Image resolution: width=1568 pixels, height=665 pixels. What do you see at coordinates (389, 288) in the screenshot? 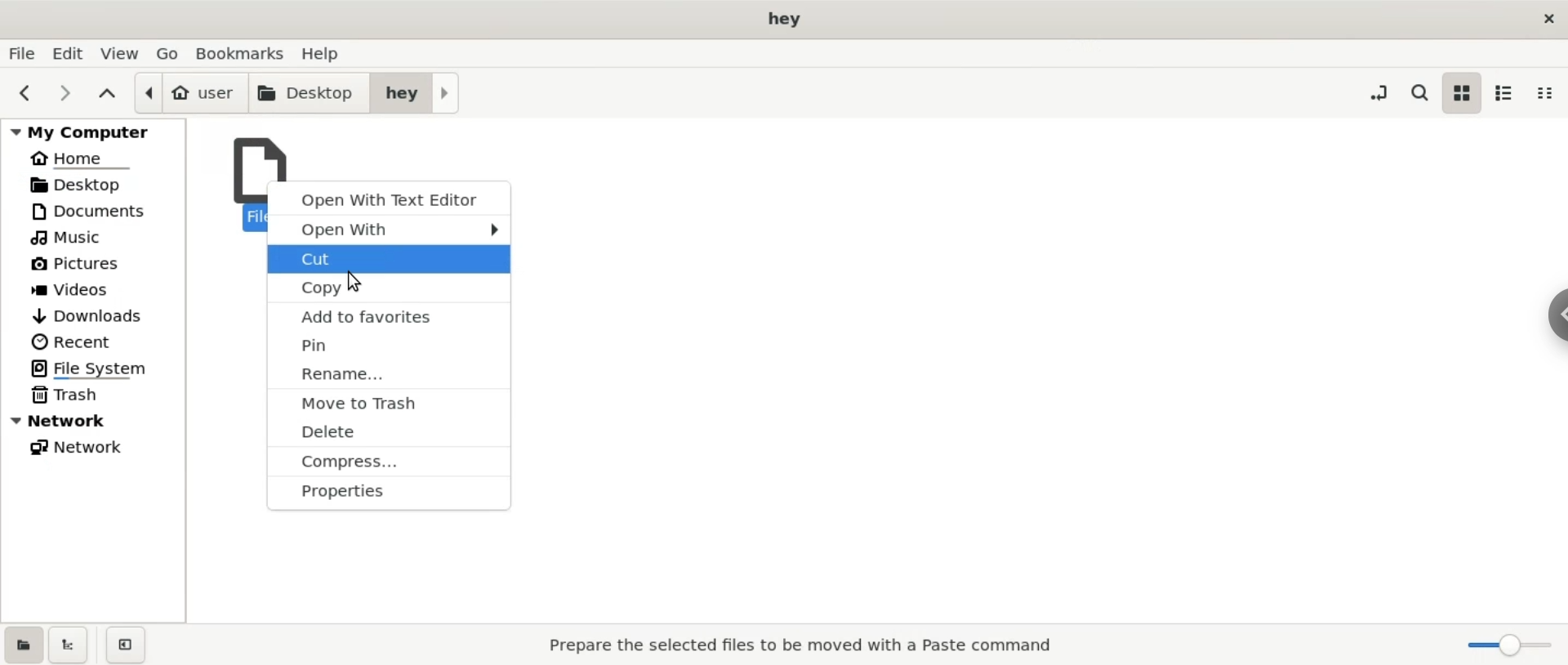
I see `copy` at bounding box center [389, 288].